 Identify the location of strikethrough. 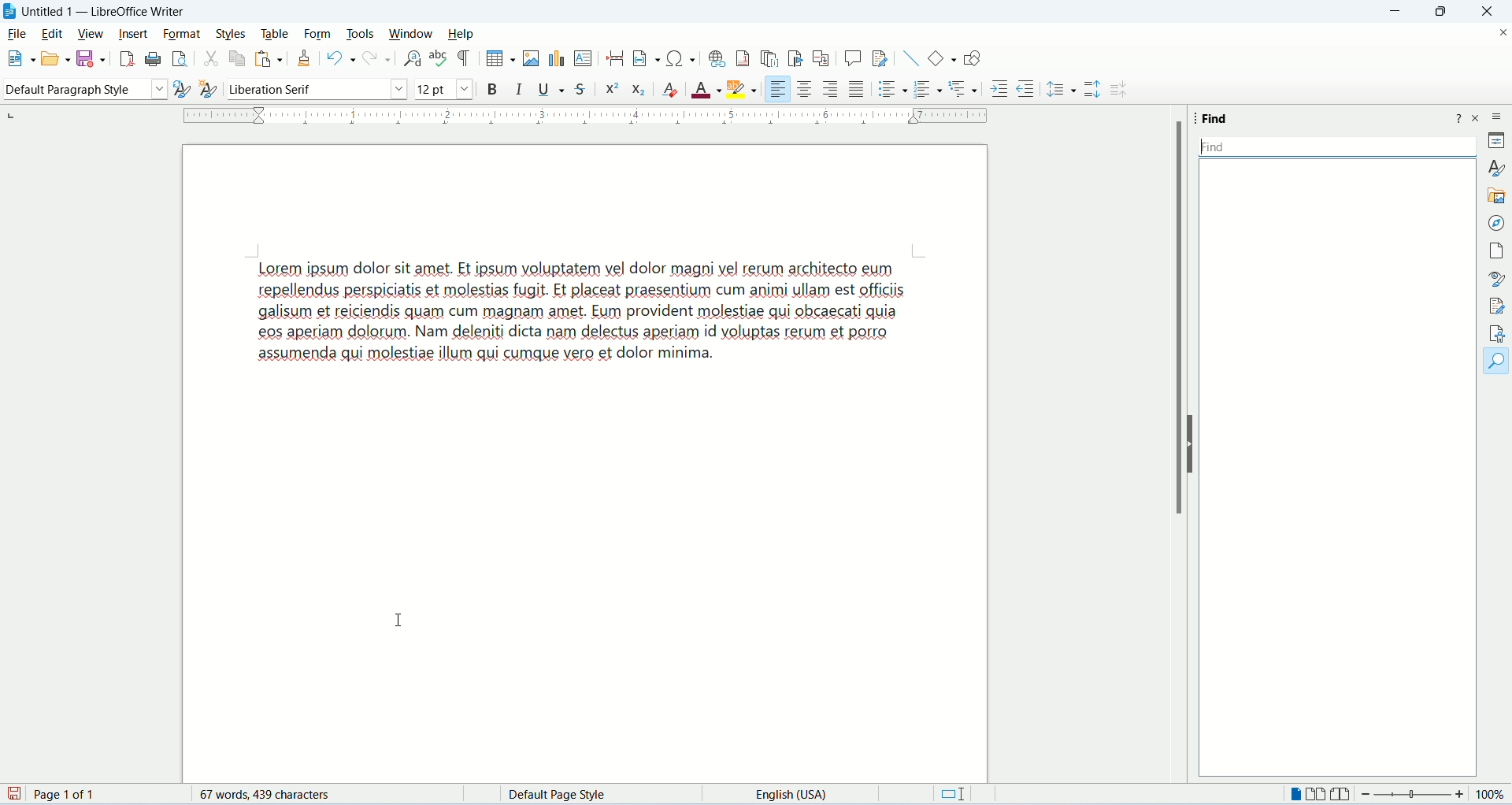
(581, 88).